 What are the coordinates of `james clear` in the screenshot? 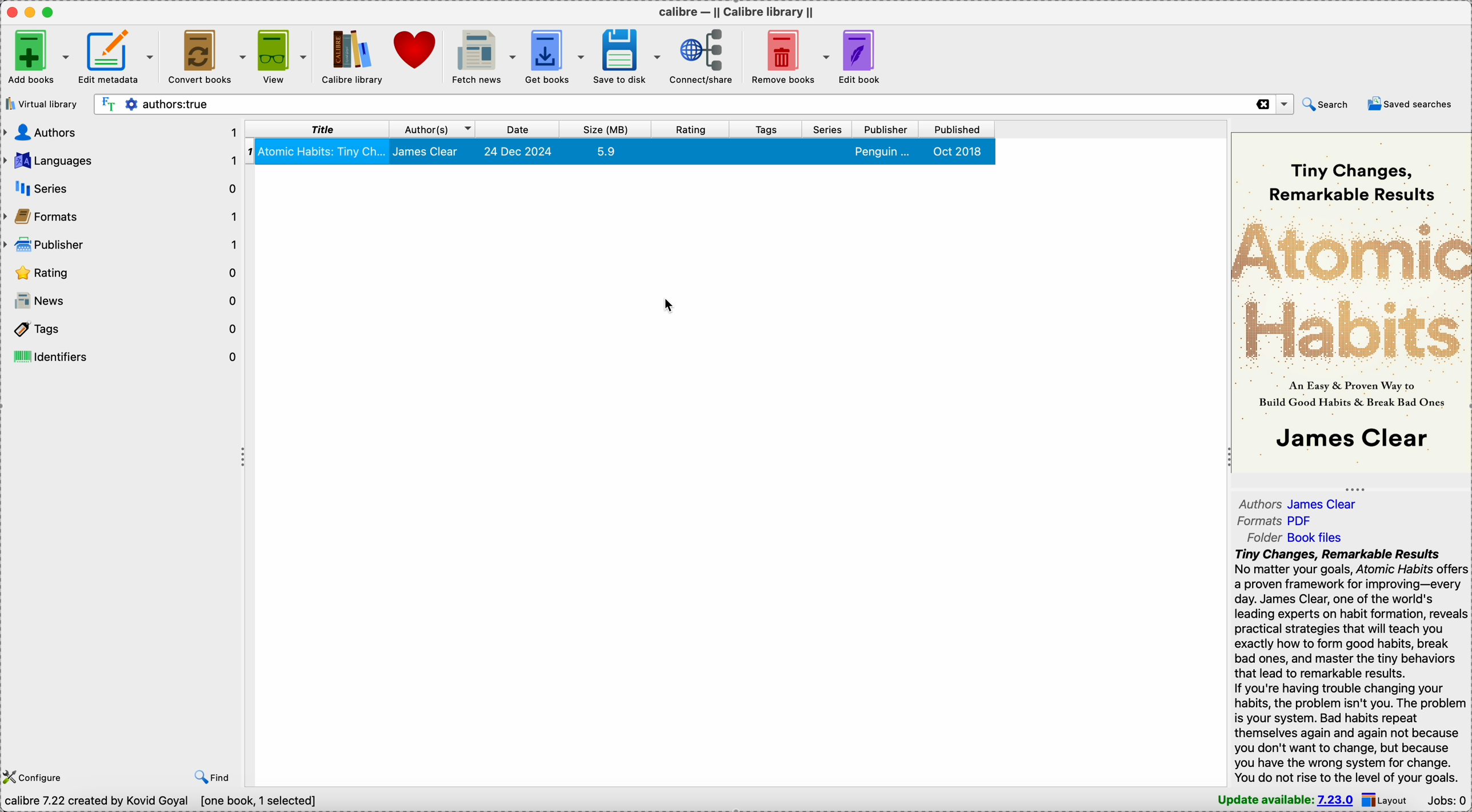 It's located at (430, 152).